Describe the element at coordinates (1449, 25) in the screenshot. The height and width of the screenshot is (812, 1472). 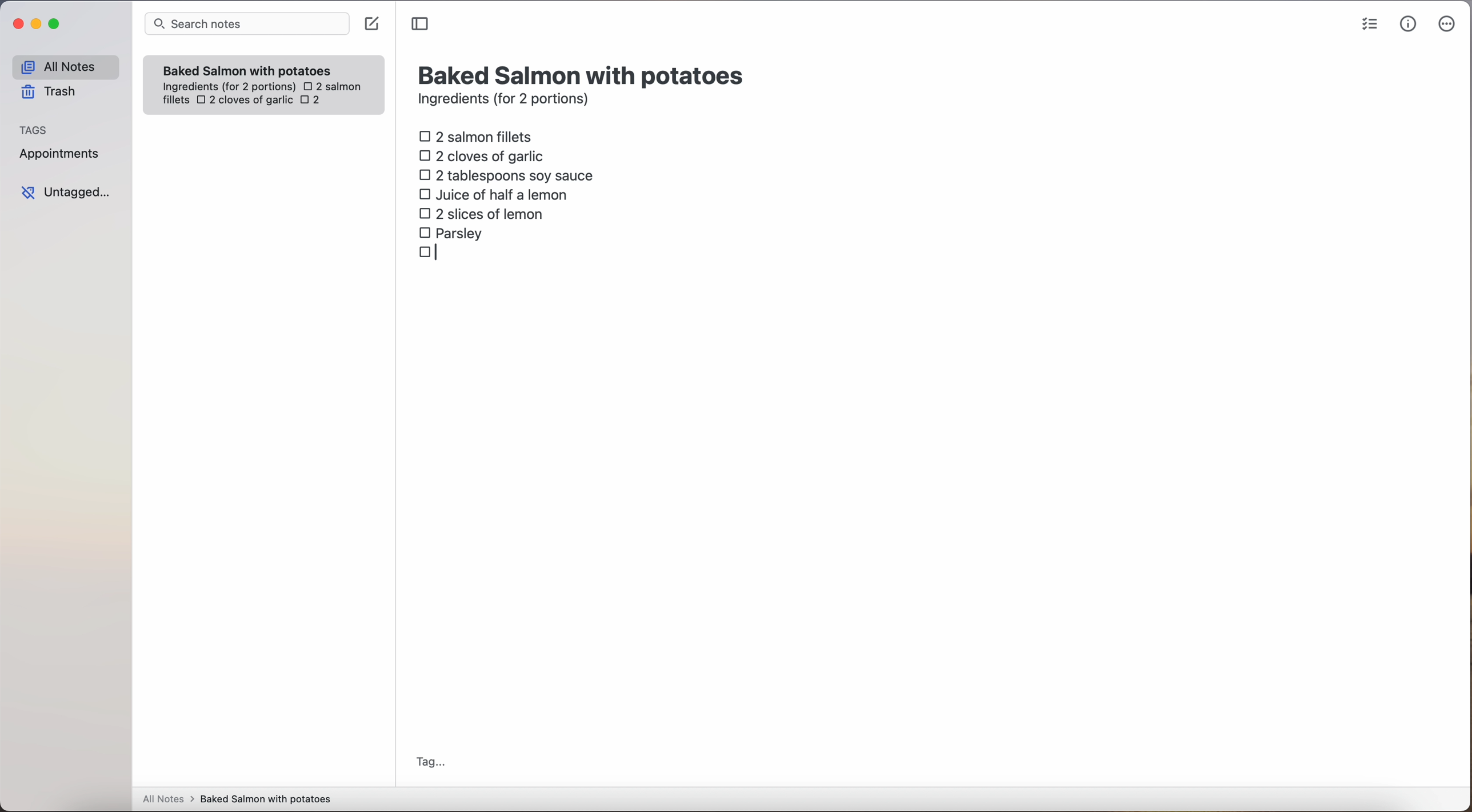
I see `more options` at that location.